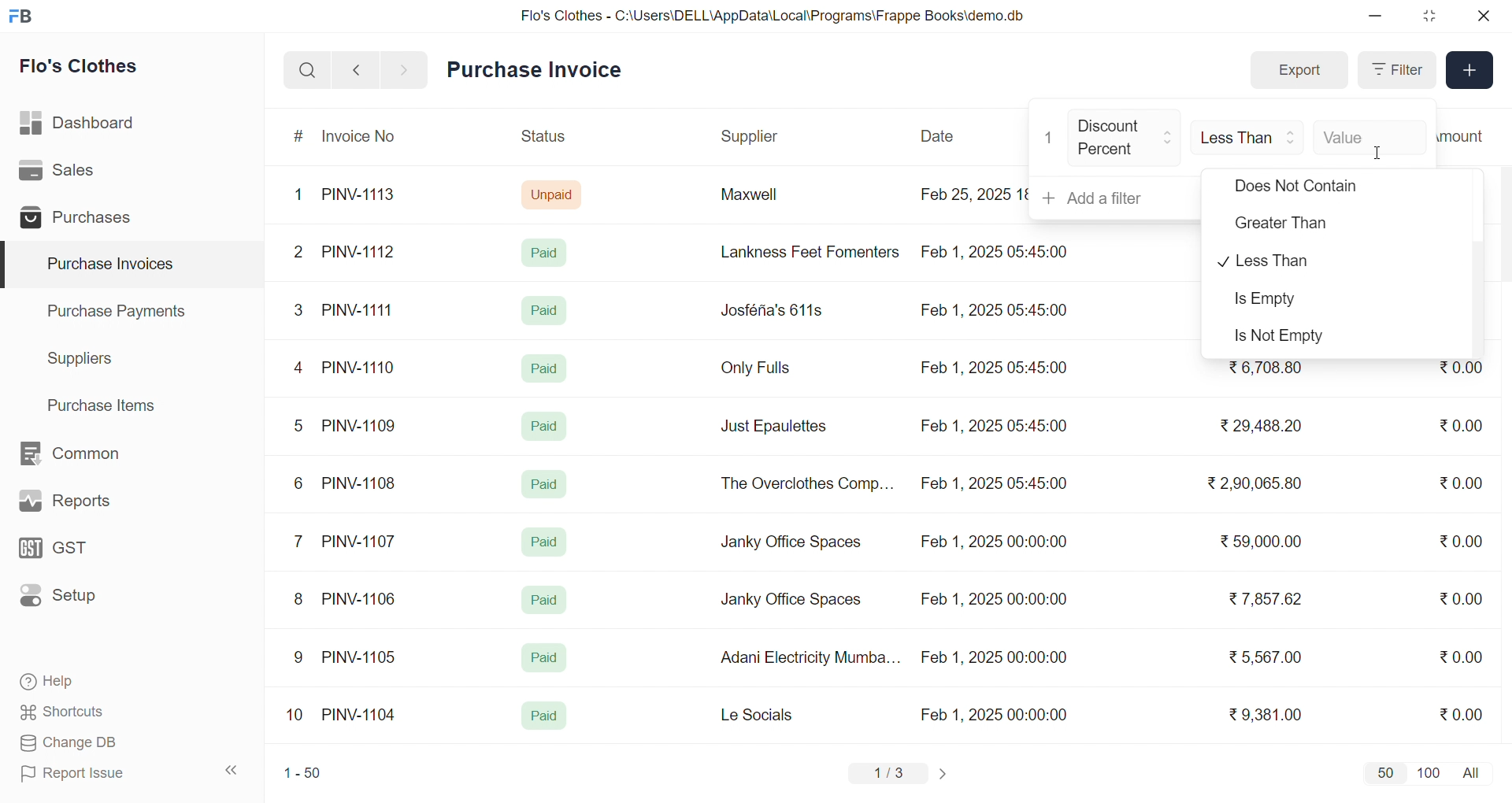  What do you see at coordinates (302, 540) in the screenshot?
I see `7` at bounding box center [302, 540].